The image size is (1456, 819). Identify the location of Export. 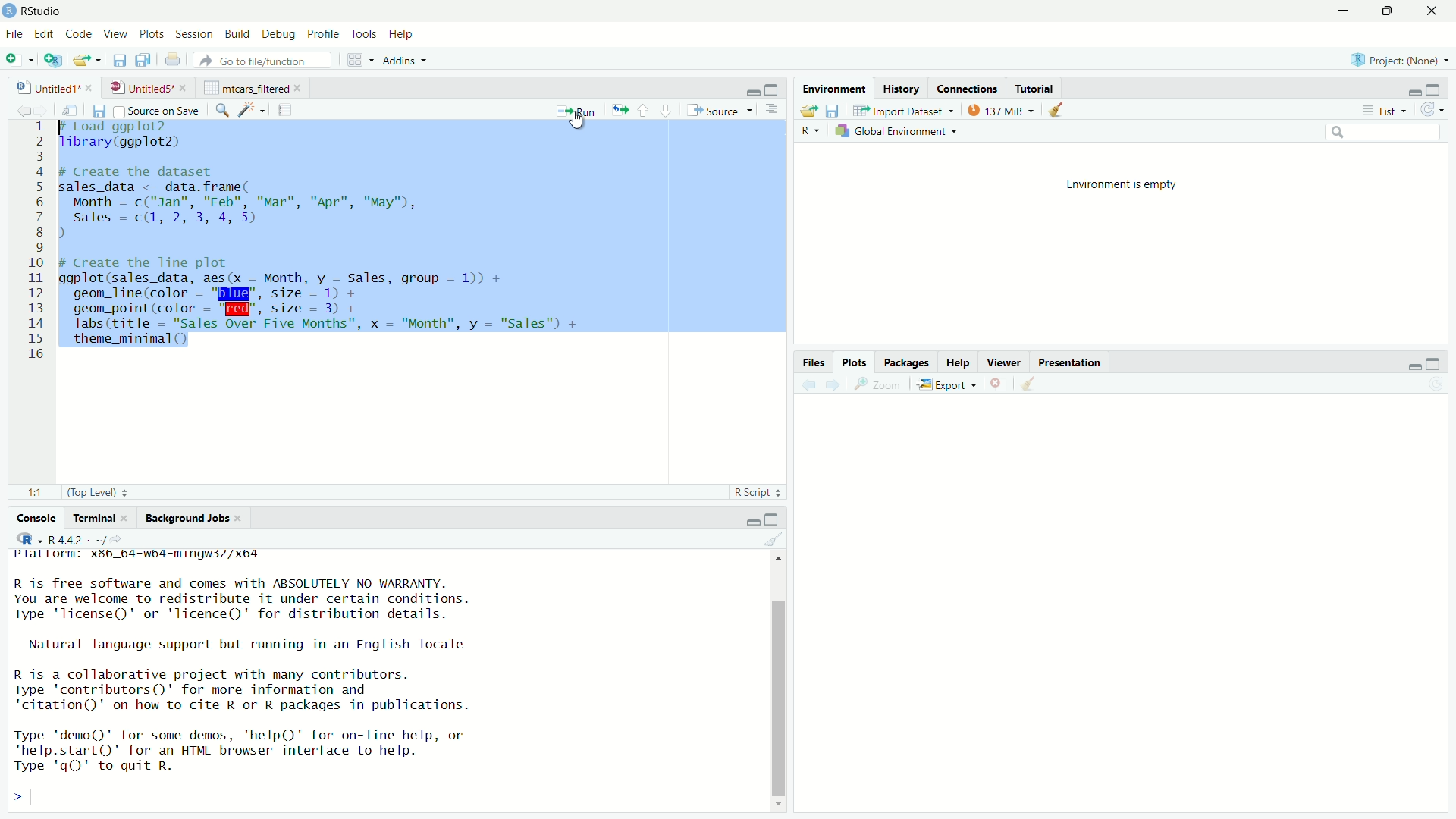
(946, 385).